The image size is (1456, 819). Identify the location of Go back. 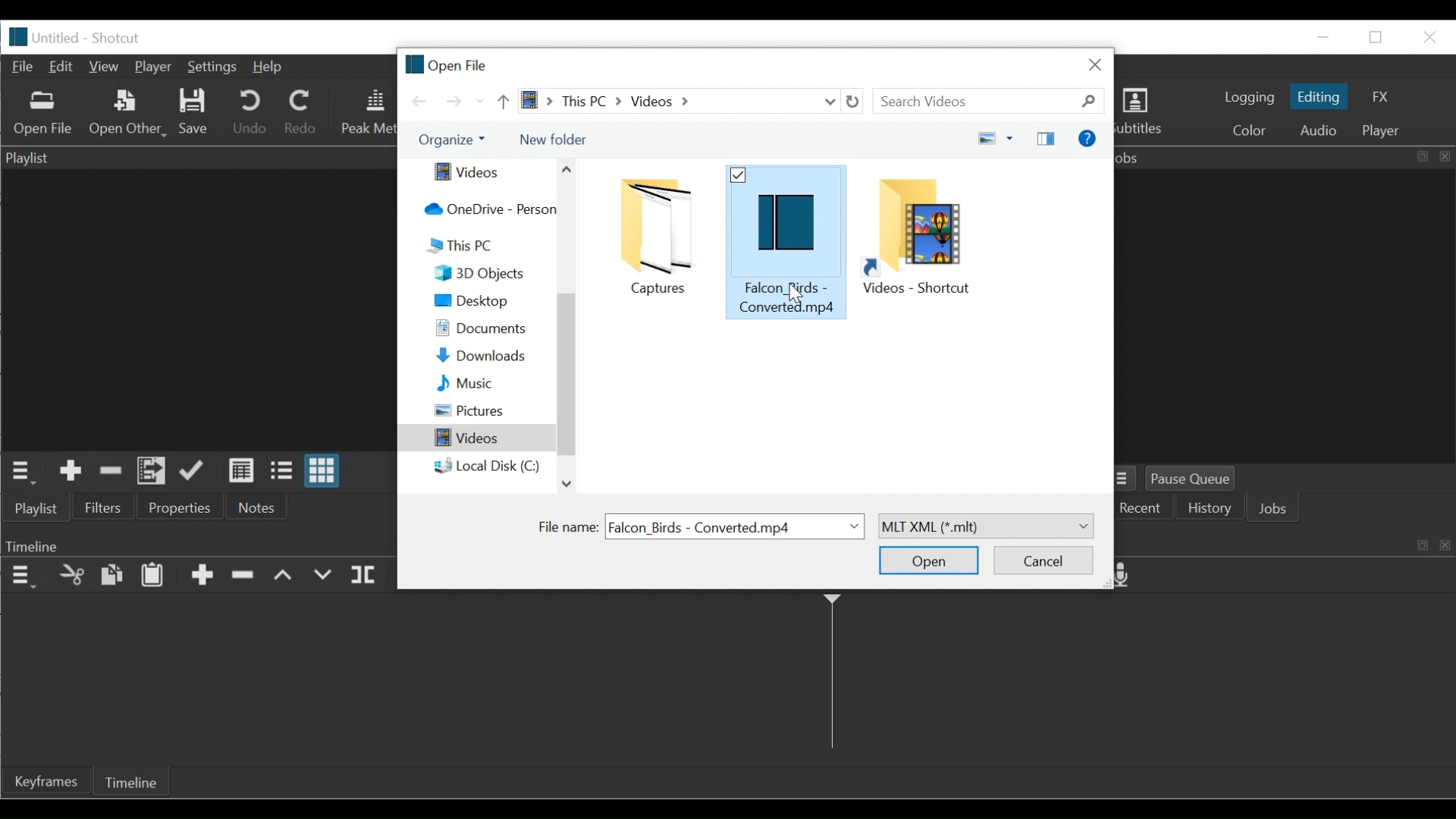
(421, 101).